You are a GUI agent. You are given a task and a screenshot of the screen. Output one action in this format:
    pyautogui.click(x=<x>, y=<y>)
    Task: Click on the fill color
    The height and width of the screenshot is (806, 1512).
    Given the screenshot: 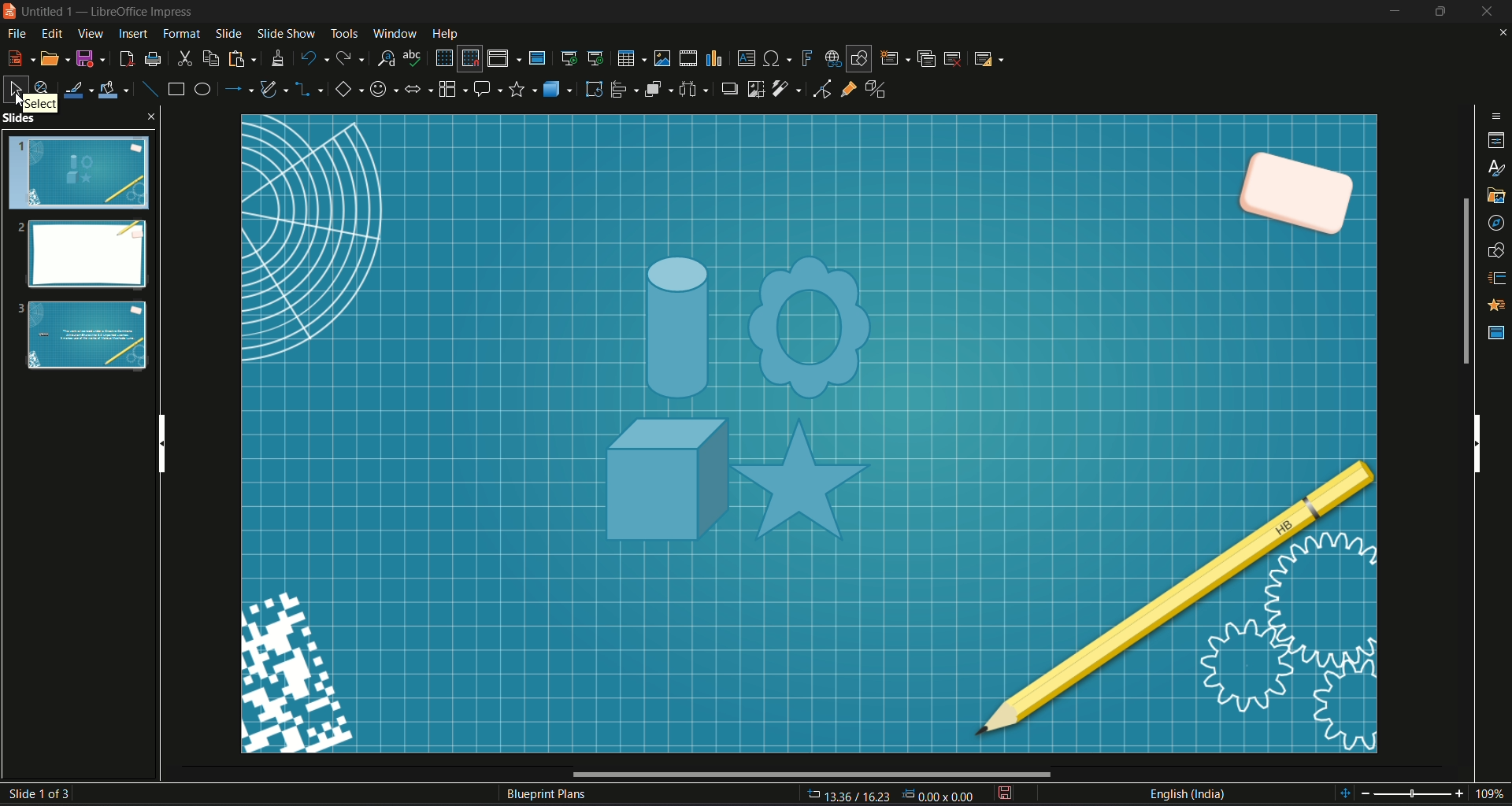 What is the action you would take?
    pyautogui.click(x=114, y=91)
    